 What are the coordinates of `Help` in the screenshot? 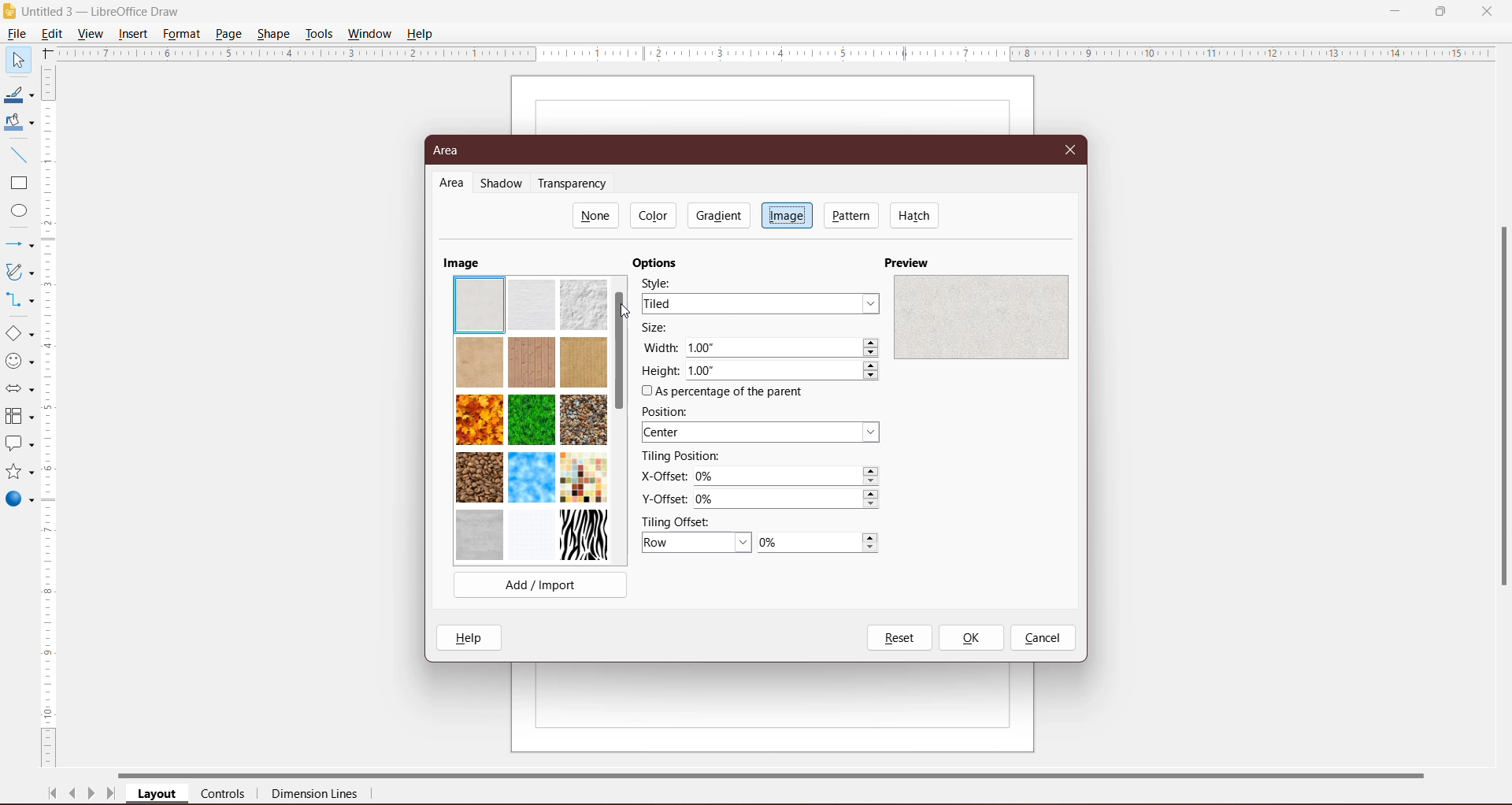 It's located at (422, 33).